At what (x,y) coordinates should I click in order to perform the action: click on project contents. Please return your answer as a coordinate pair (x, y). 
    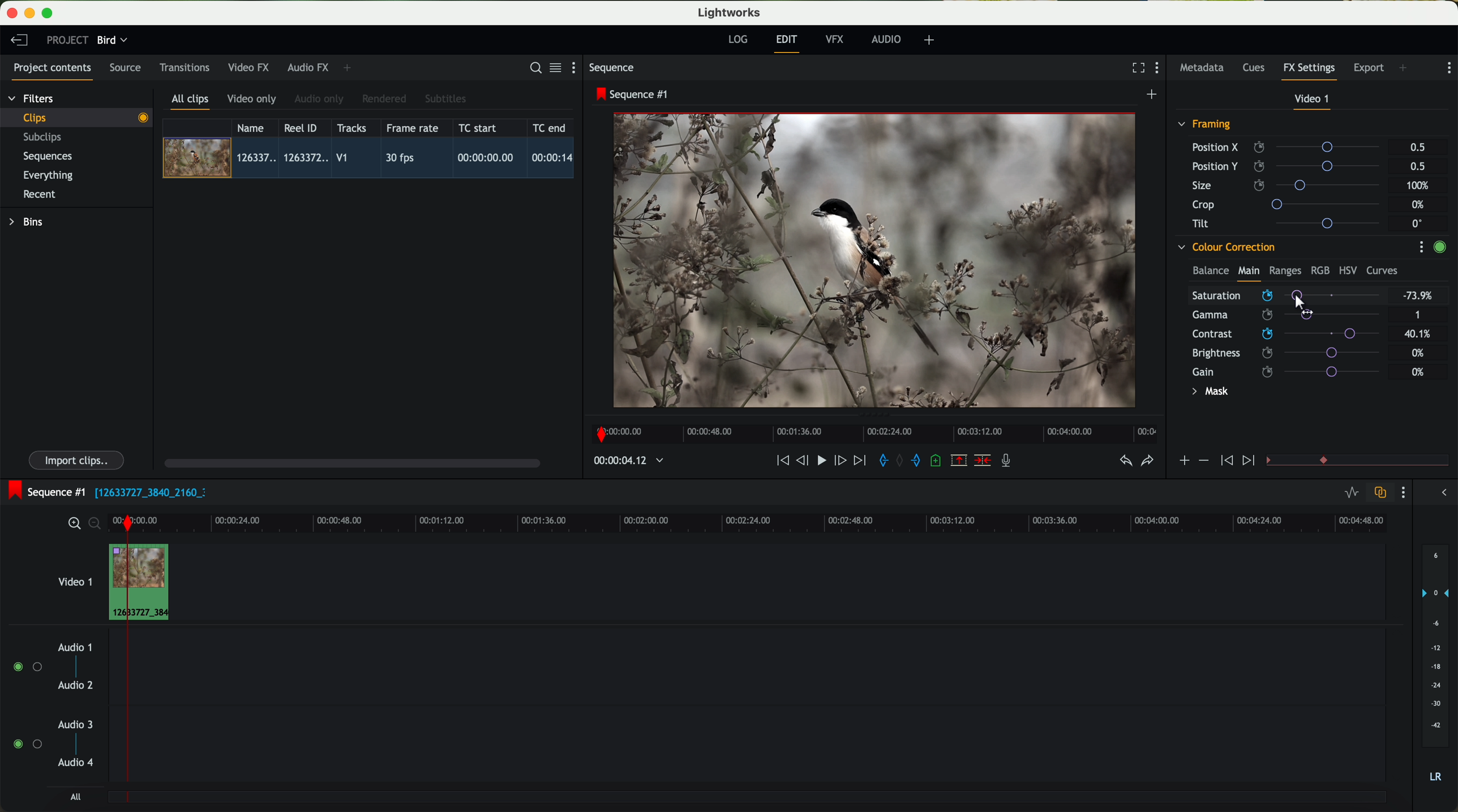
    Looking at the image, I should click on (53, 71).